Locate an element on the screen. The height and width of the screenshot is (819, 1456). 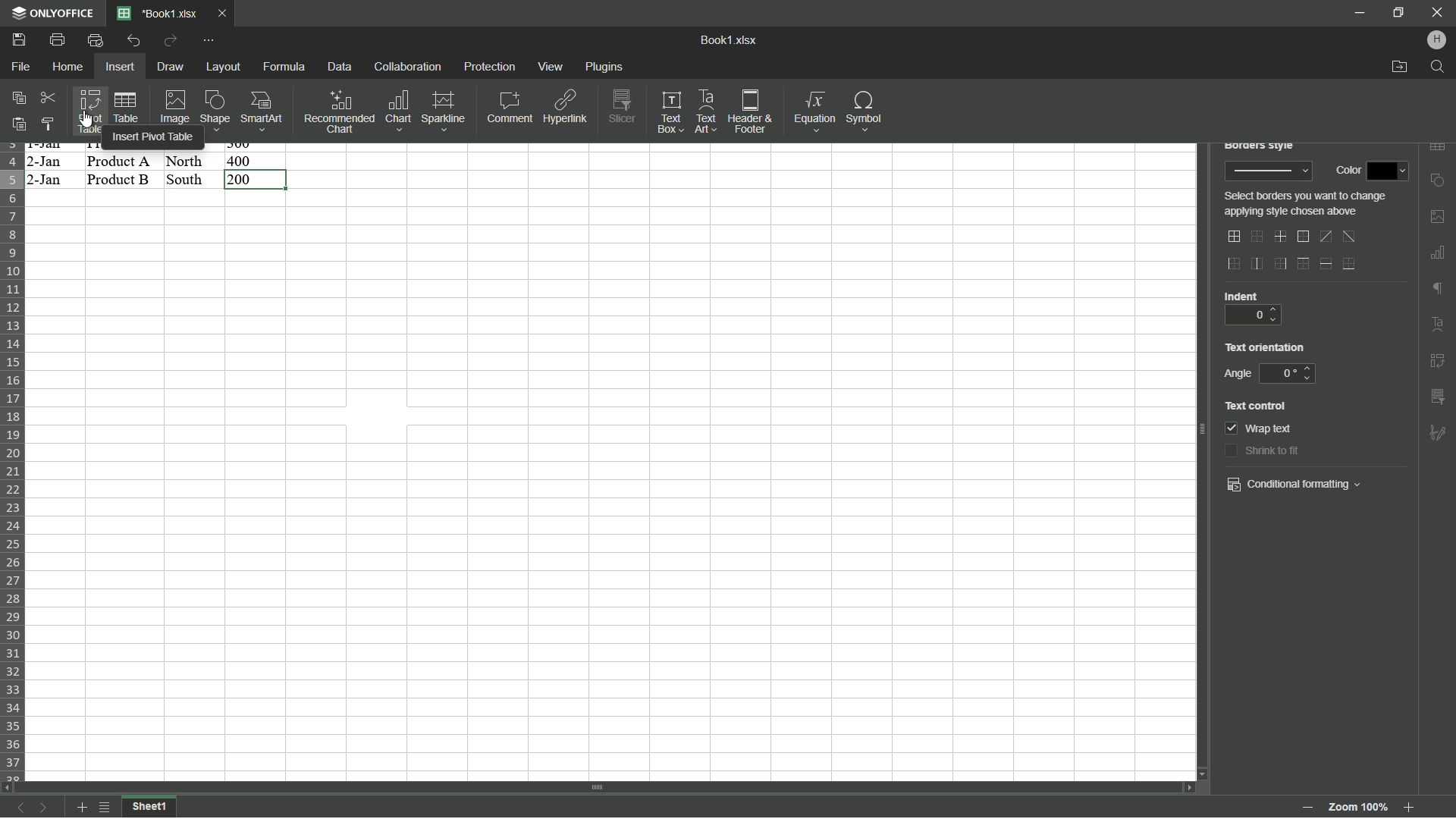
scroll right is located at coordinates (1183, 787).